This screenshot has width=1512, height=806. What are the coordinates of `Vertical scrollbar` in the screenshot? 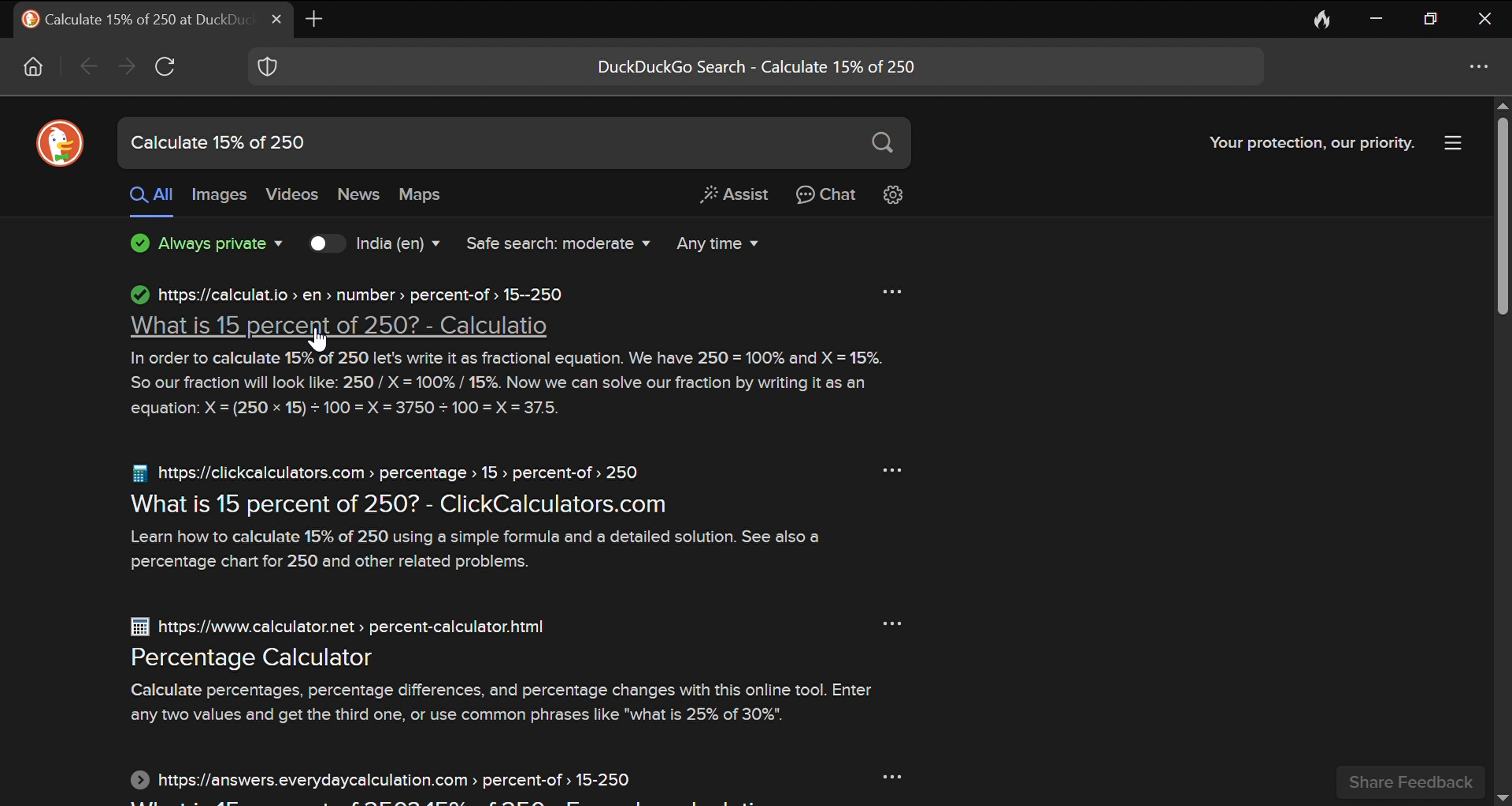 It's located at (1504, 216).